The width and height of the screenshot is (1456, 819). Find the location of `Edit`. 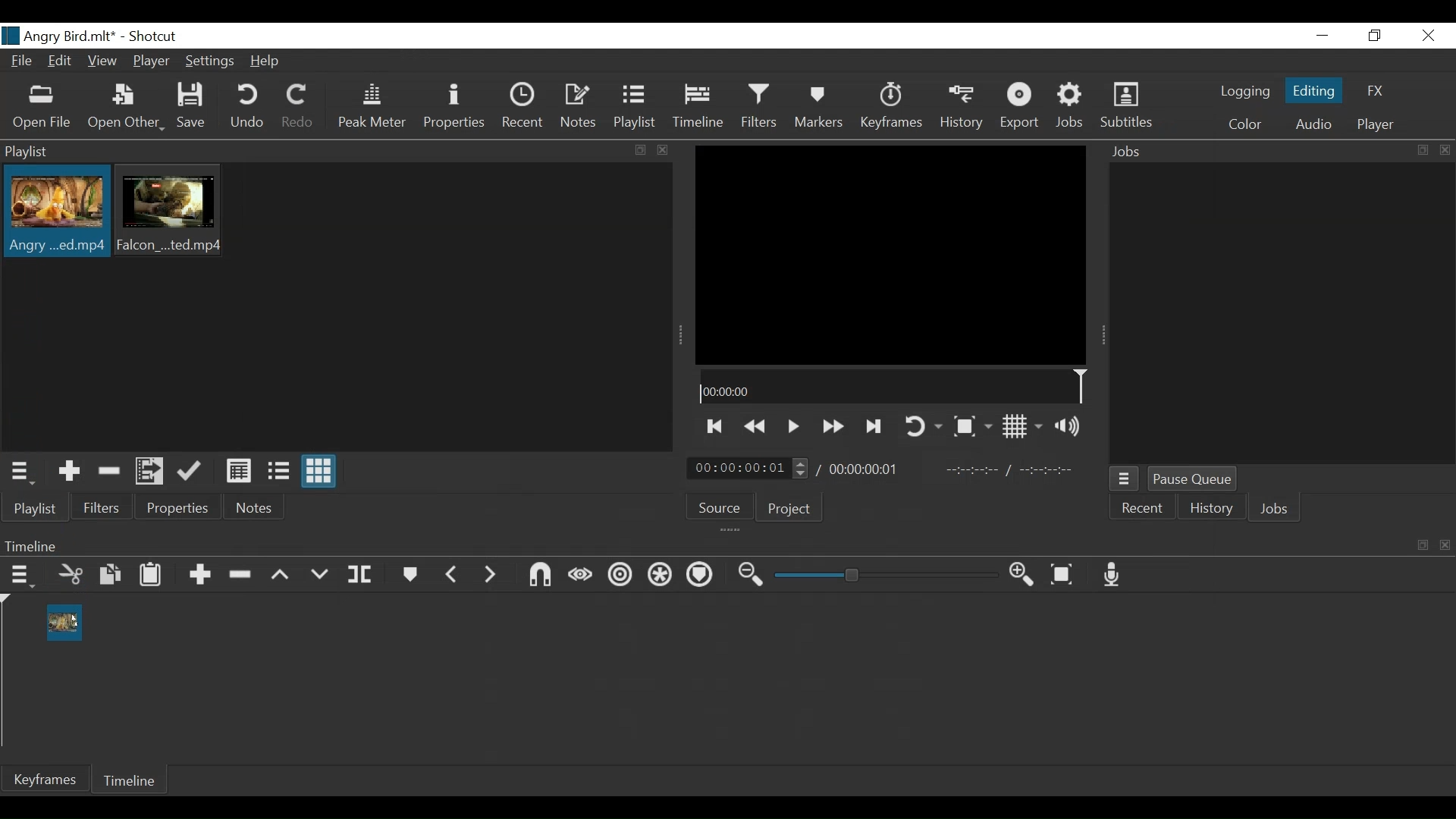

Edit is located at coordinates (62, 62).